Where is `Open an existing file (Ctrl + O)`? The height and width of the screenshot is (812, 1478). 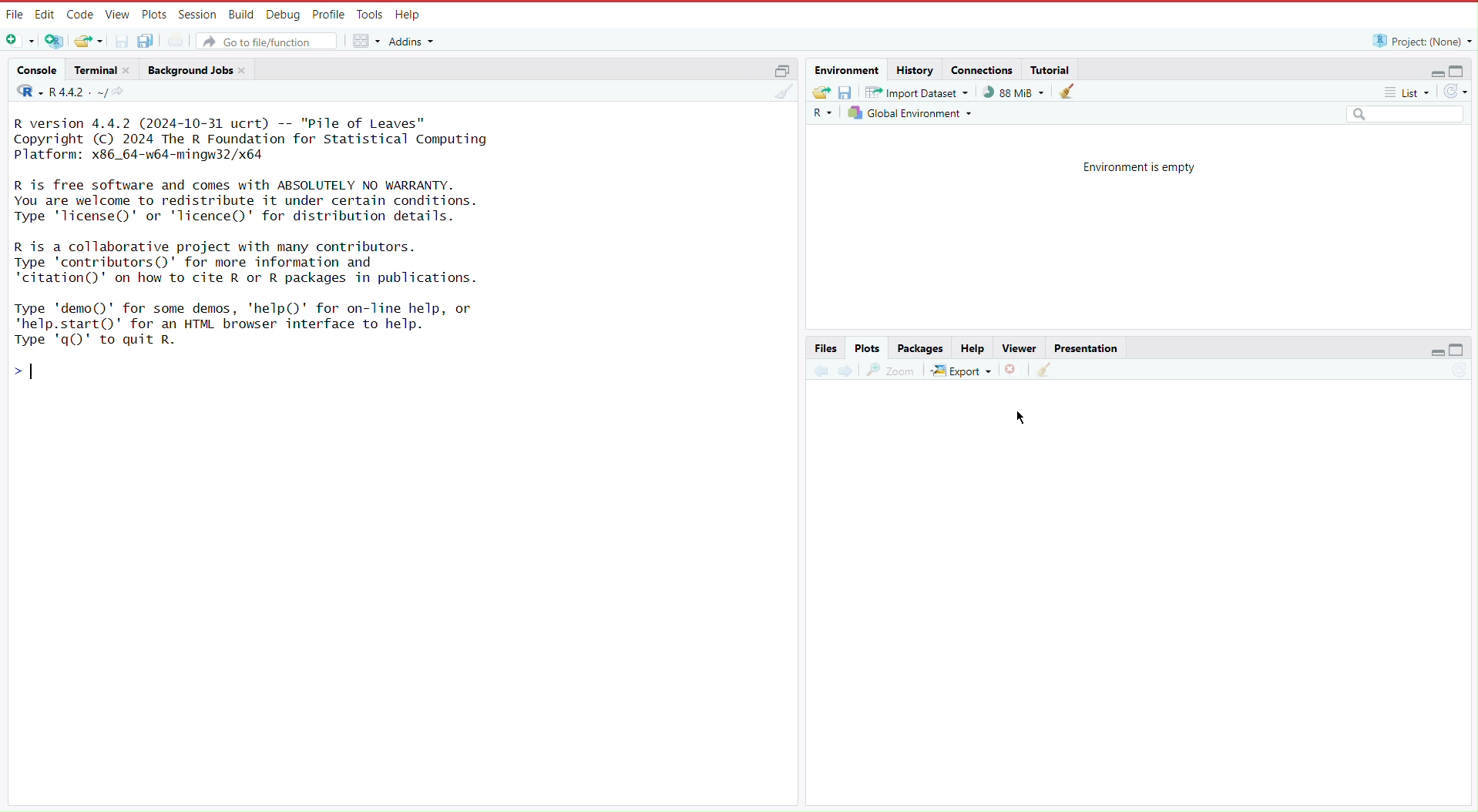 Open an existing file (Ctrl + O) is located at coordinates (88, 40).